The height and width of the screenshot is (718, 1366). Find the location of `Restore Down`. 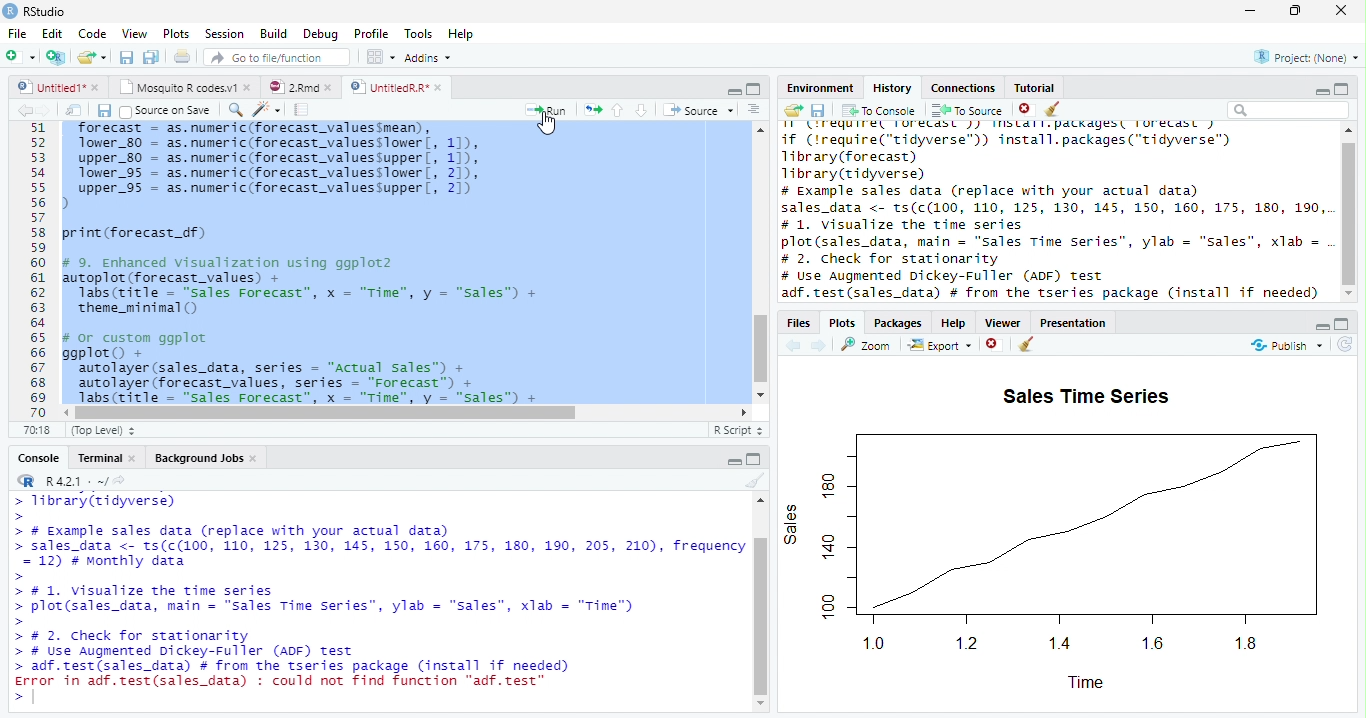

Restore Down is located at coordinates (1296, 12).